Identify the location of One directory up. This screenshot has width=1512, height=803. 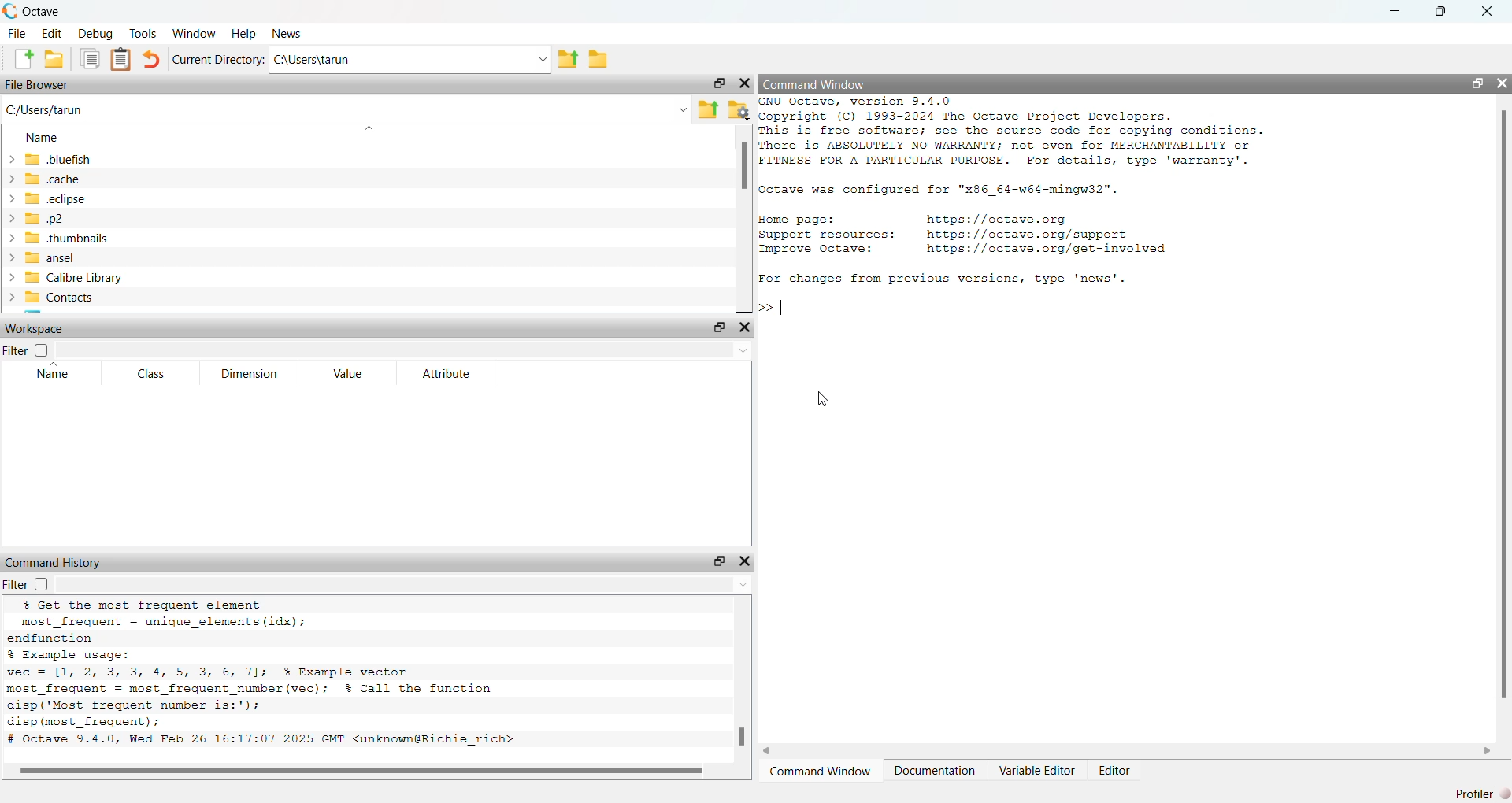
(567, 57).